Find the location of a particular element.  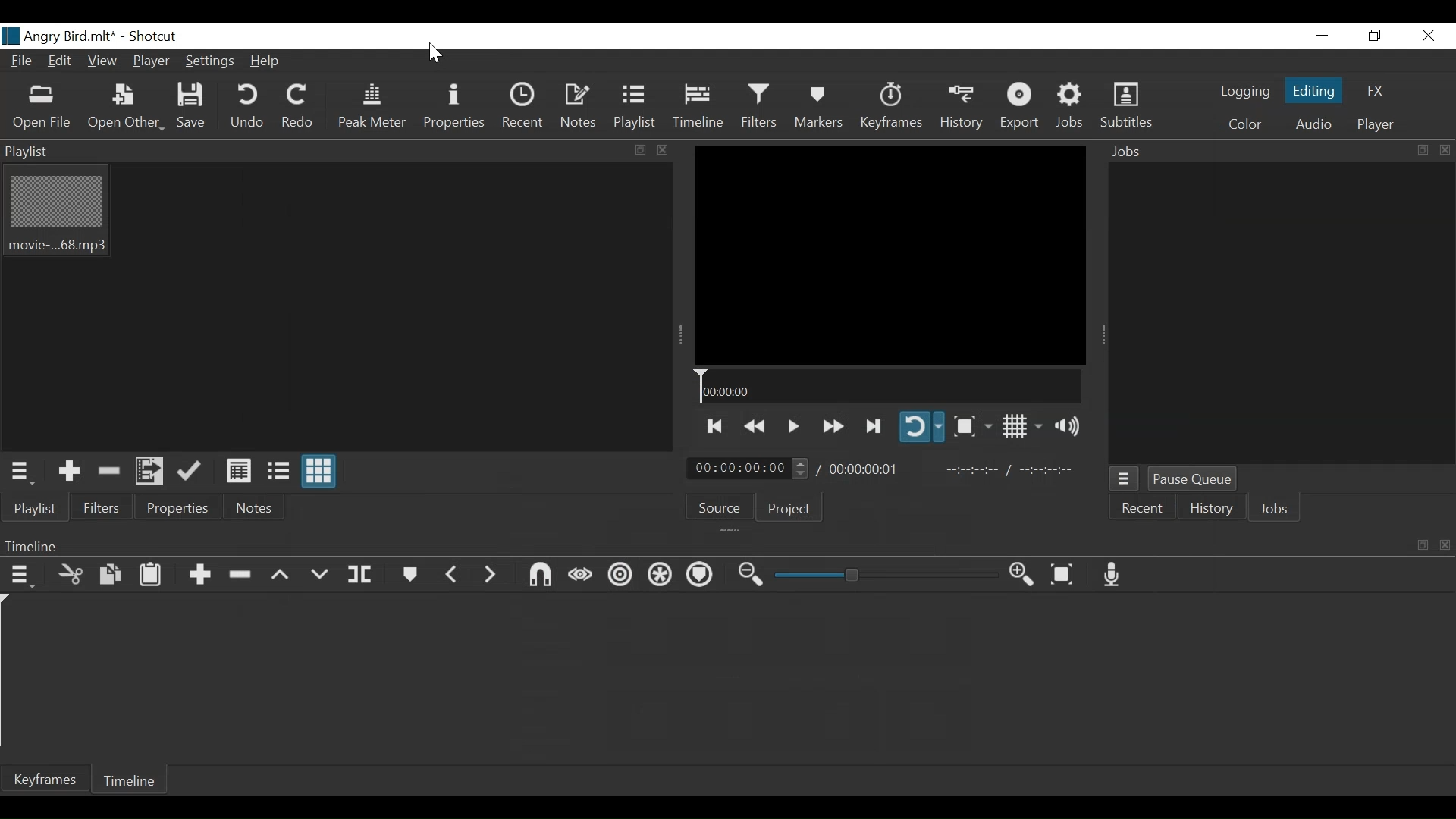

Overwrite is located at coordinates (321, 573).